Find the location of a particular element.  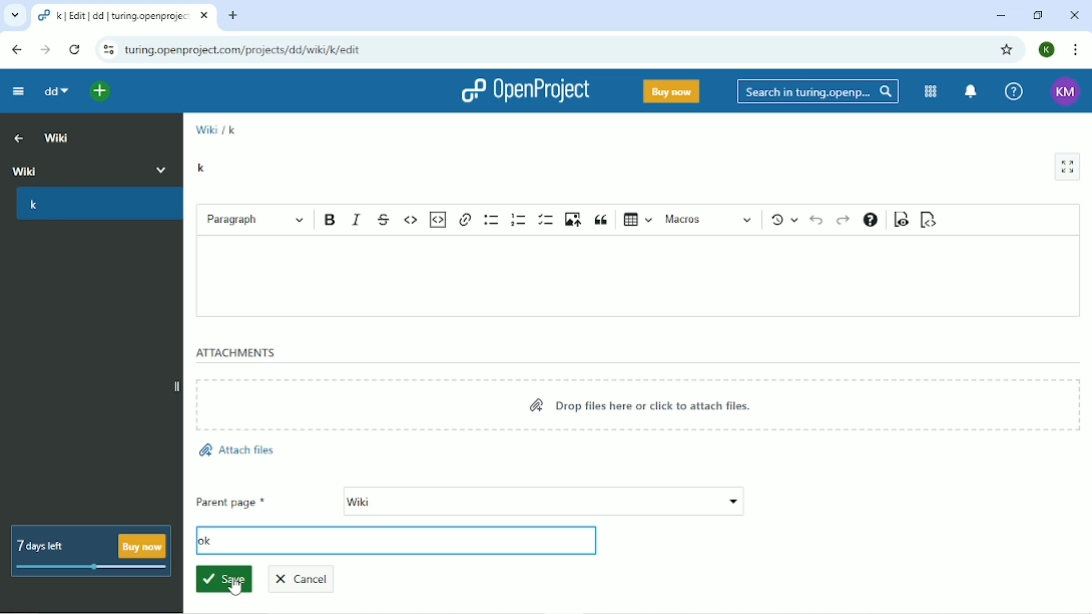

Paragraph is located at coordinates (256, 218).